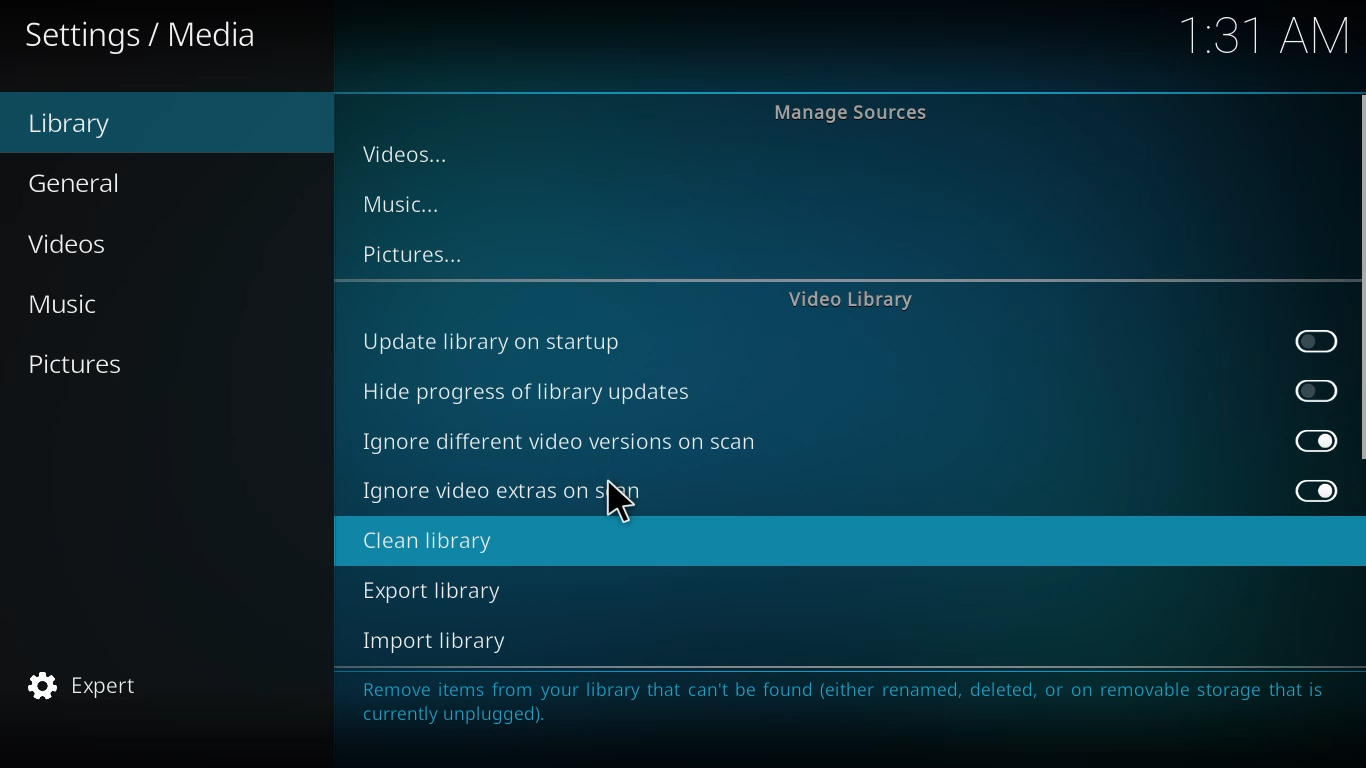 The height and width of the screenshot is (768, 1366). Describe the element at coordinates (618, 503) in the screenshot. I see `cursor` at that location.